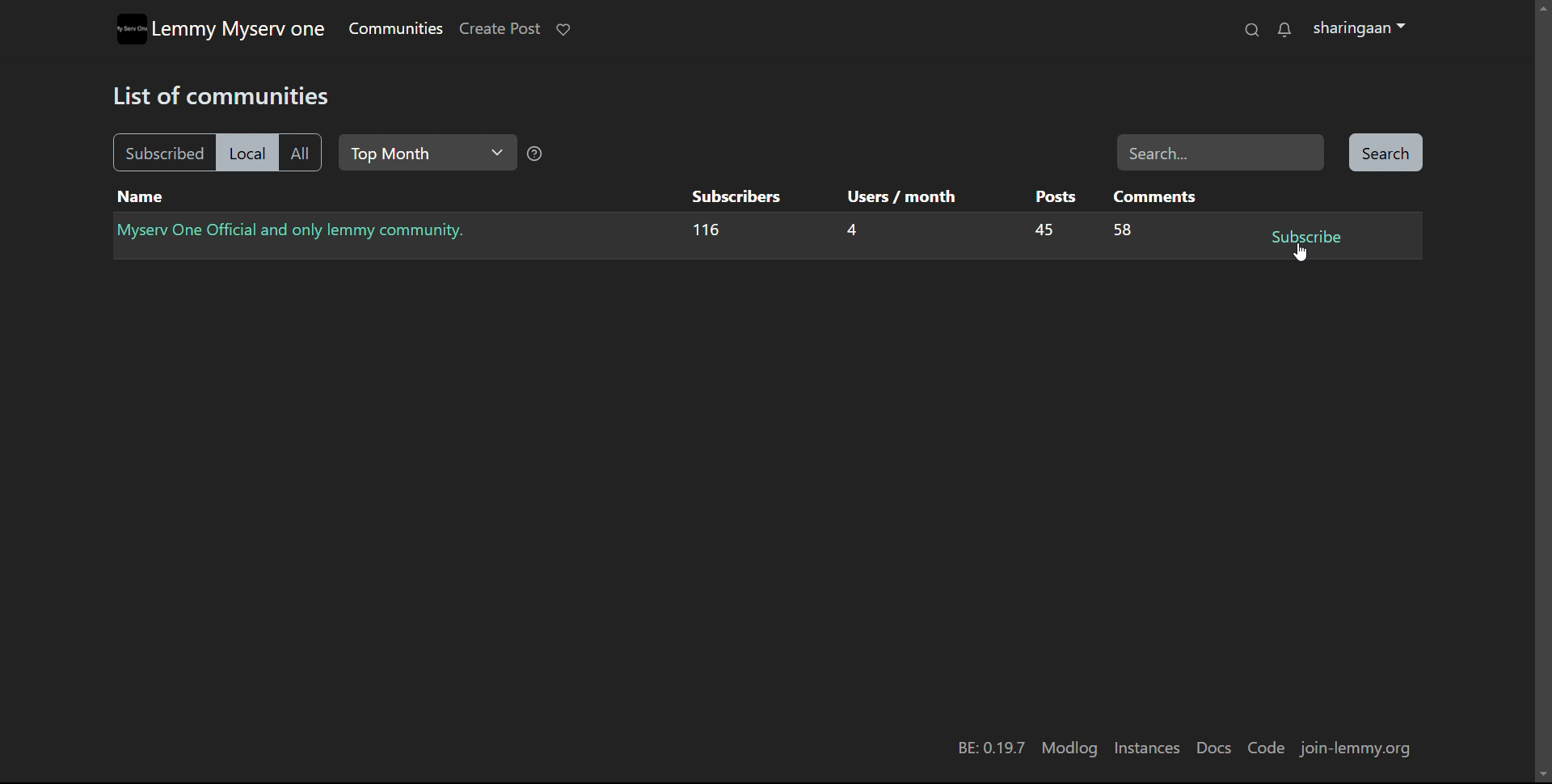  Describe the element at coordinates (1544, 398) in the screenshot. I see `scrollbar` at that location.